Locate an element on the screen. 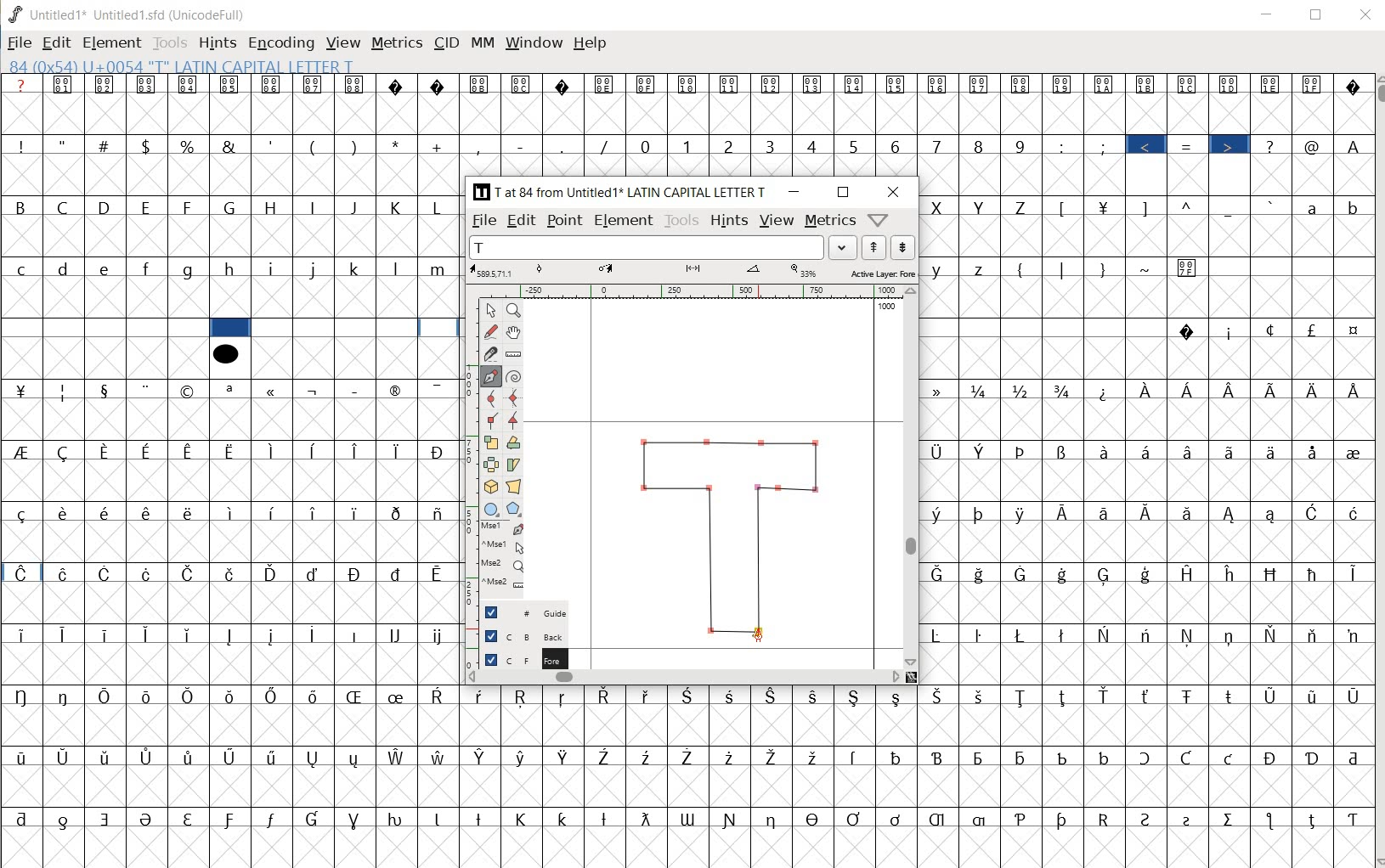 This screenshot has width=1385, height=868. Symbol is located at coordinates (189, 392).